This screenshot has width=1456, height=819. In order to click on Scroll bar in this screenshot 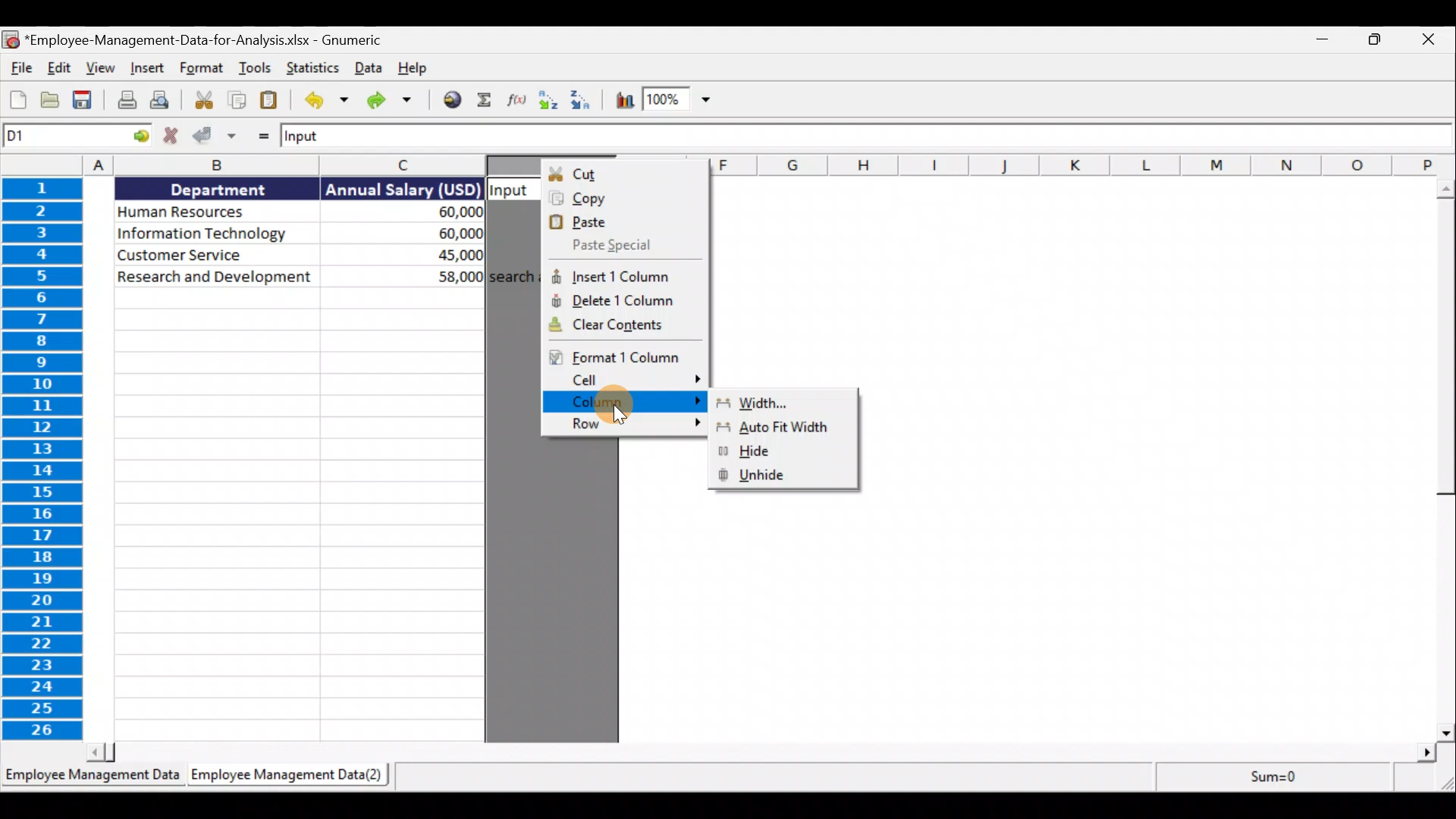, I will do `click(765, 750)`.